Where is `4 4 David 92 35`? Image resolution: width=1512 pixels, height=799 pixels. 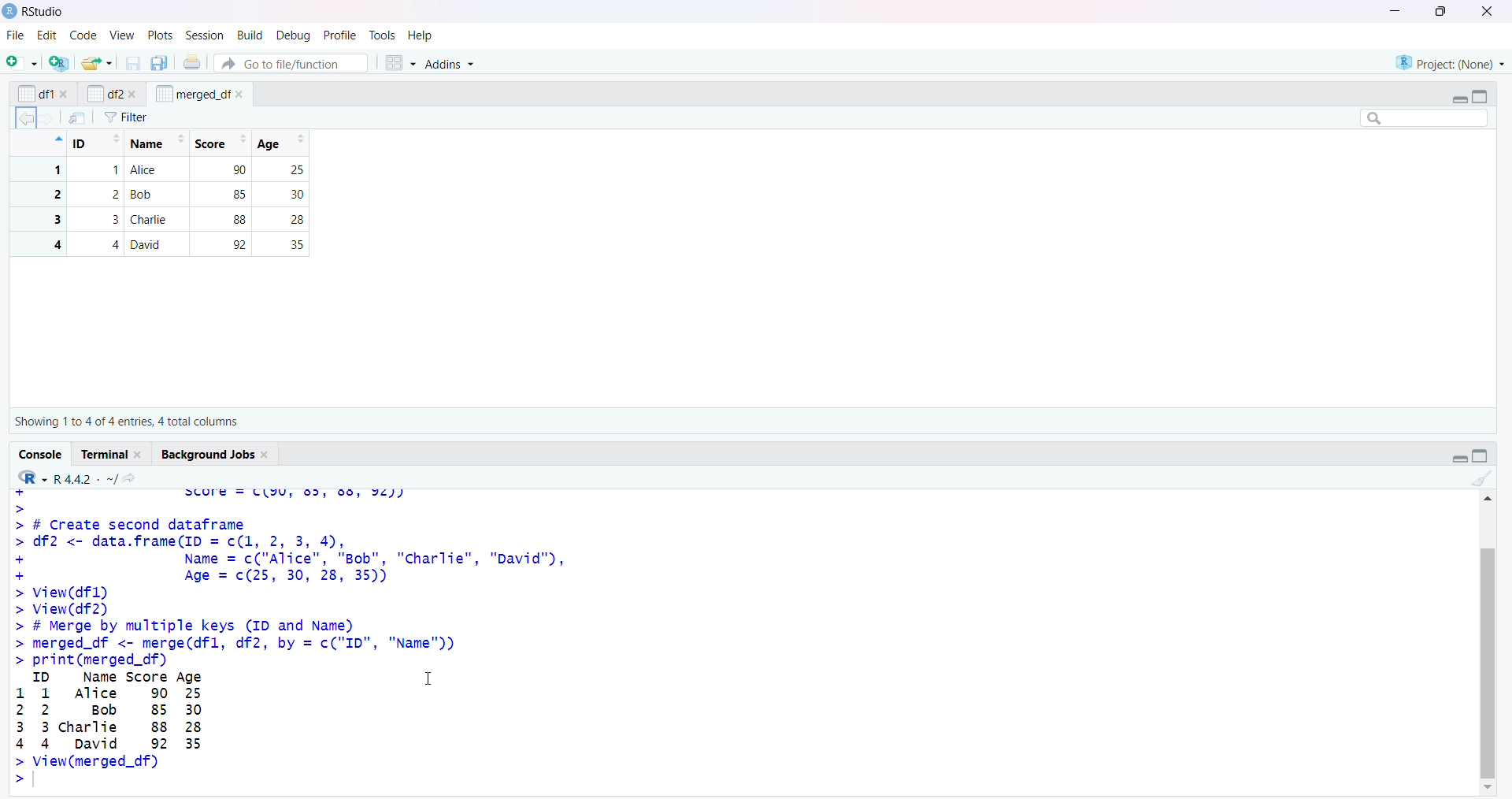
4 4 David 92 35 is located at coordinates (164, 244).